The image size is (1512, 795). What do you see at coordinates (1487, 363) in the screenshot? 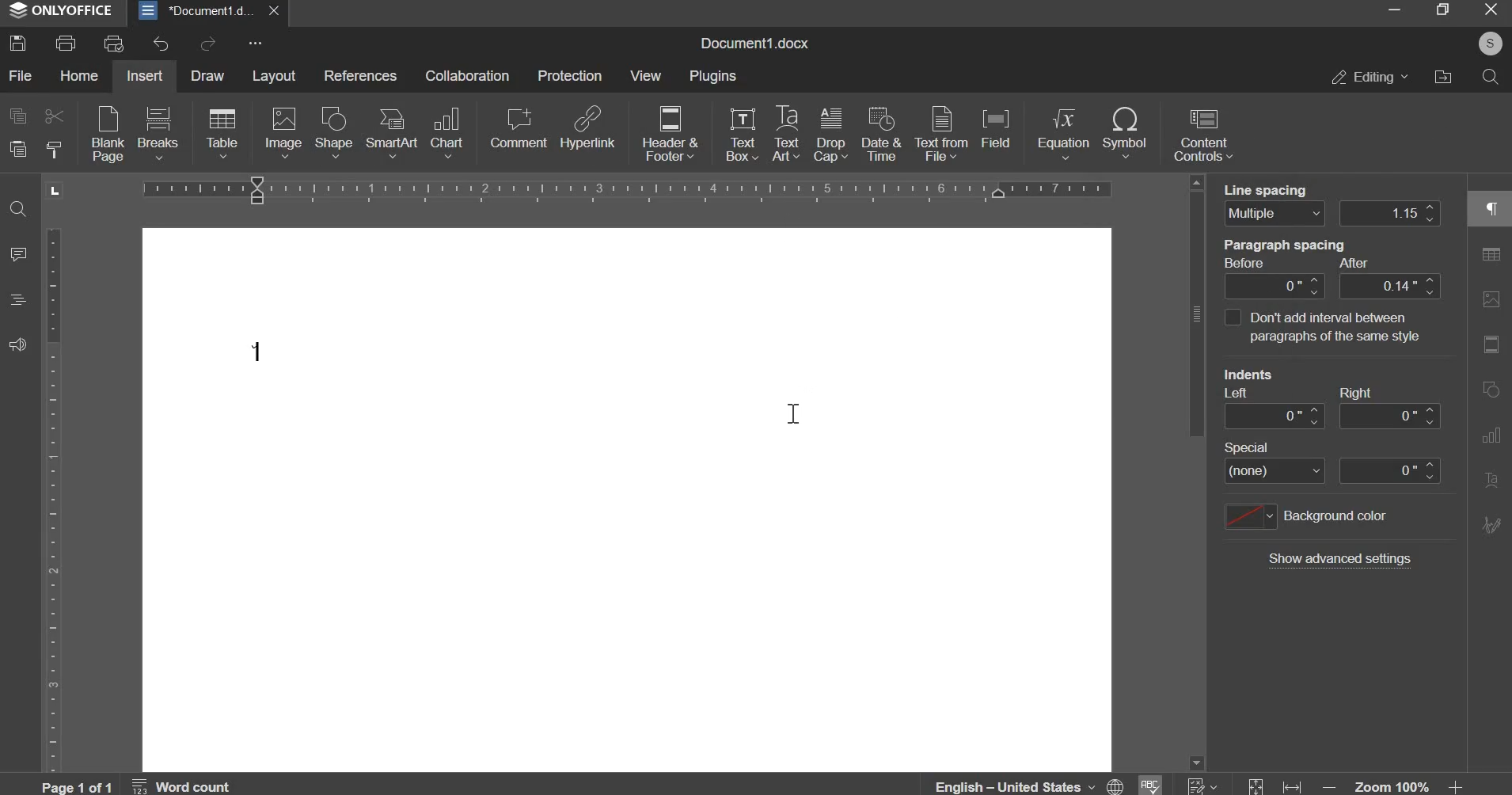
I see `right side bar` at bounding box center [1487, 363].